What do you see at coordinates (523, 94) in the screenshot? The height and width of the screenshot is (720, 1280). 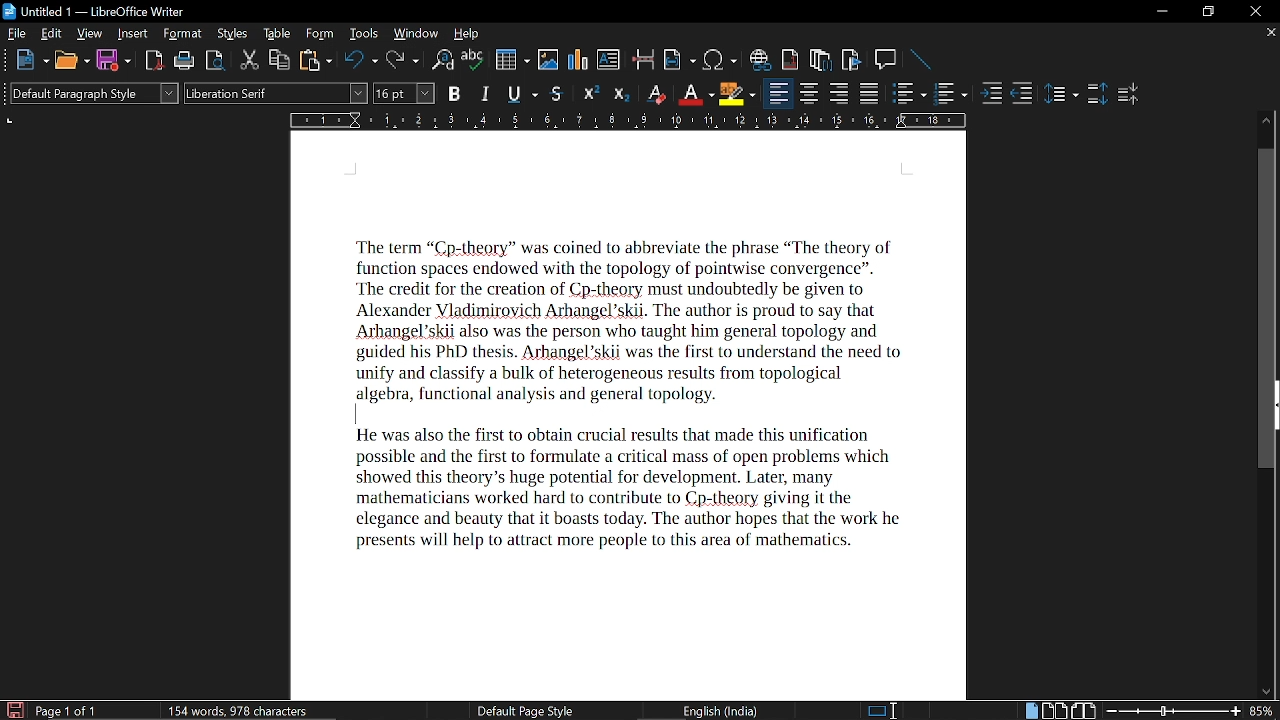 I see `Underline` at bounding box center [523, 94].